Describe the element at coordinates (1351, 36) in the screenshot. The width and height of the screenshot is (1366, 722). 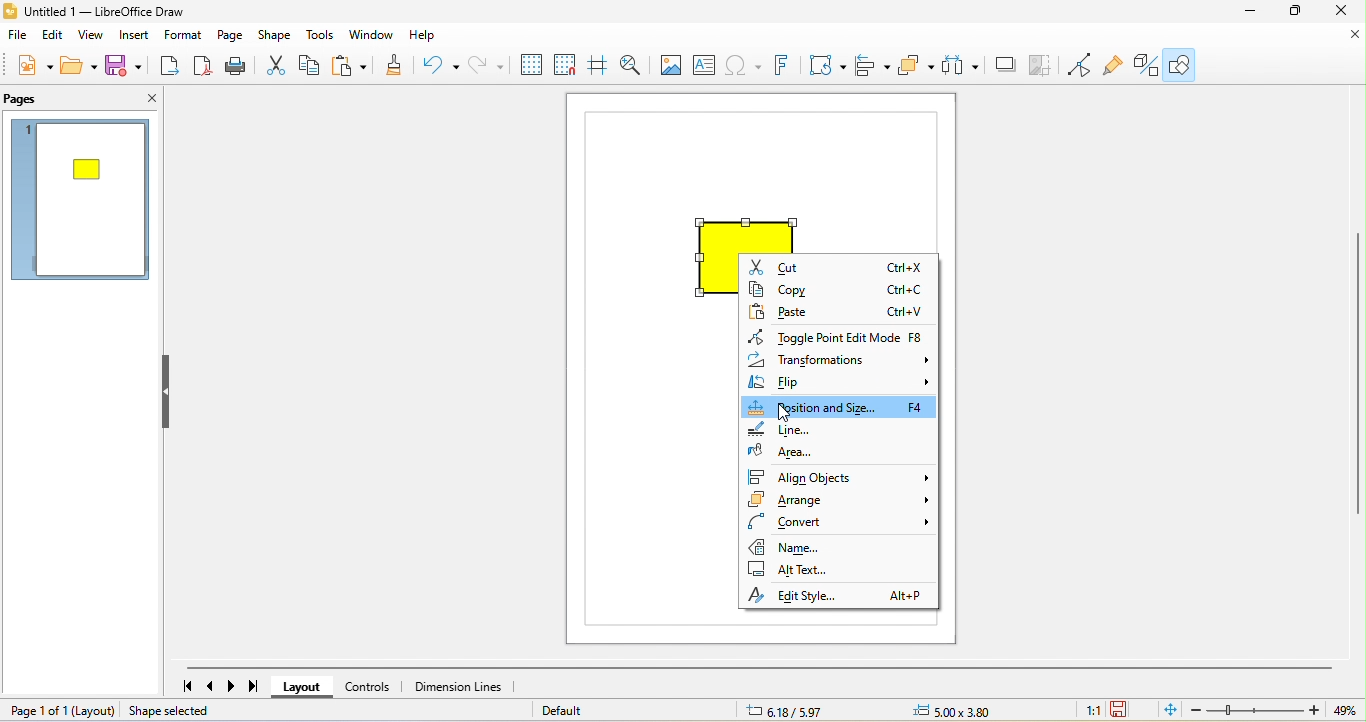
I see `close` at that location.